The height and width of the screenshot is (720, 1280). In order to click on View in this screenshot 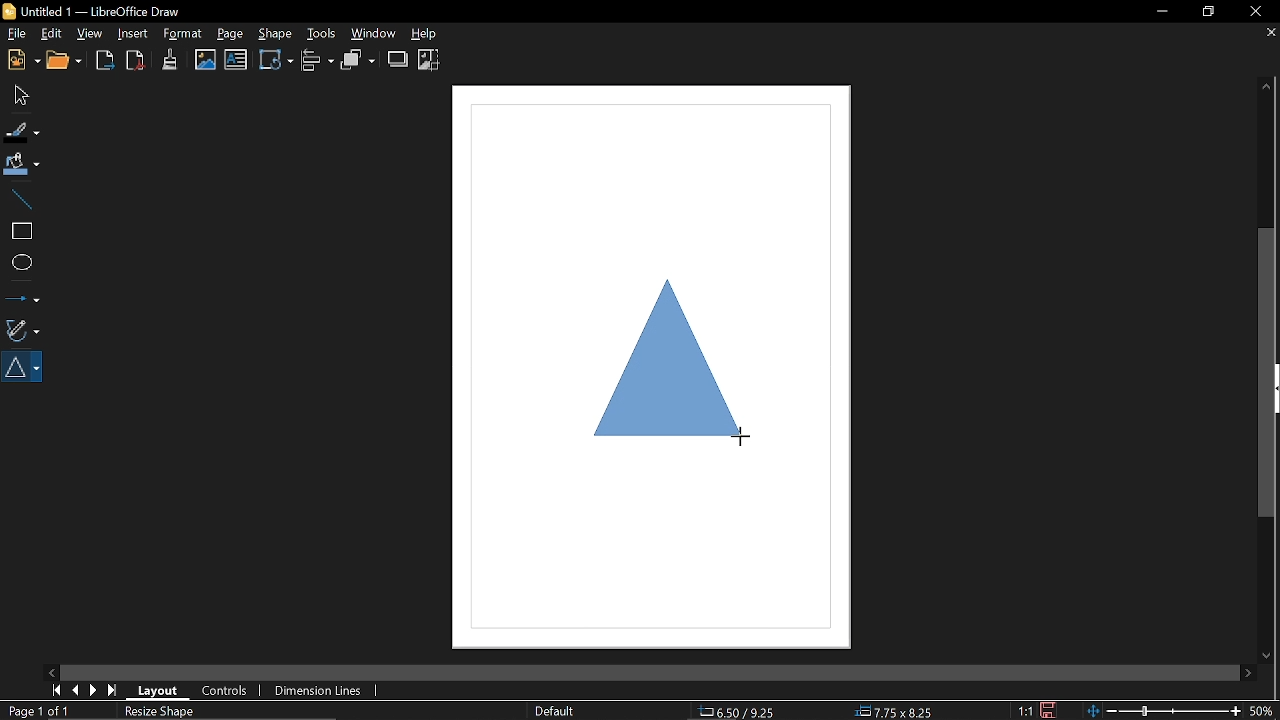, I will do `click(90, 33)`.